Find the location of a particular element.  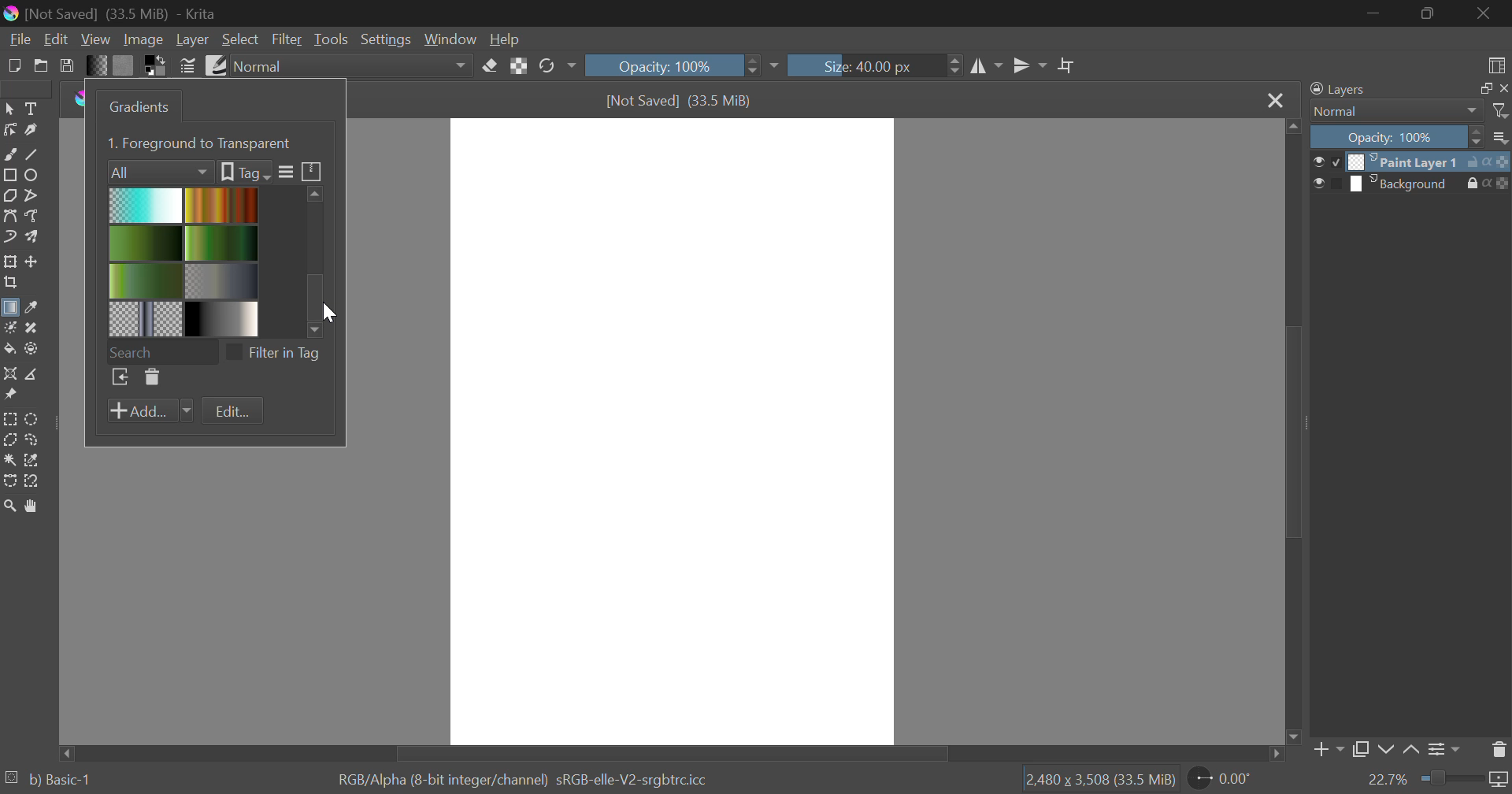

Pattern is located at coordinates (124, 65).